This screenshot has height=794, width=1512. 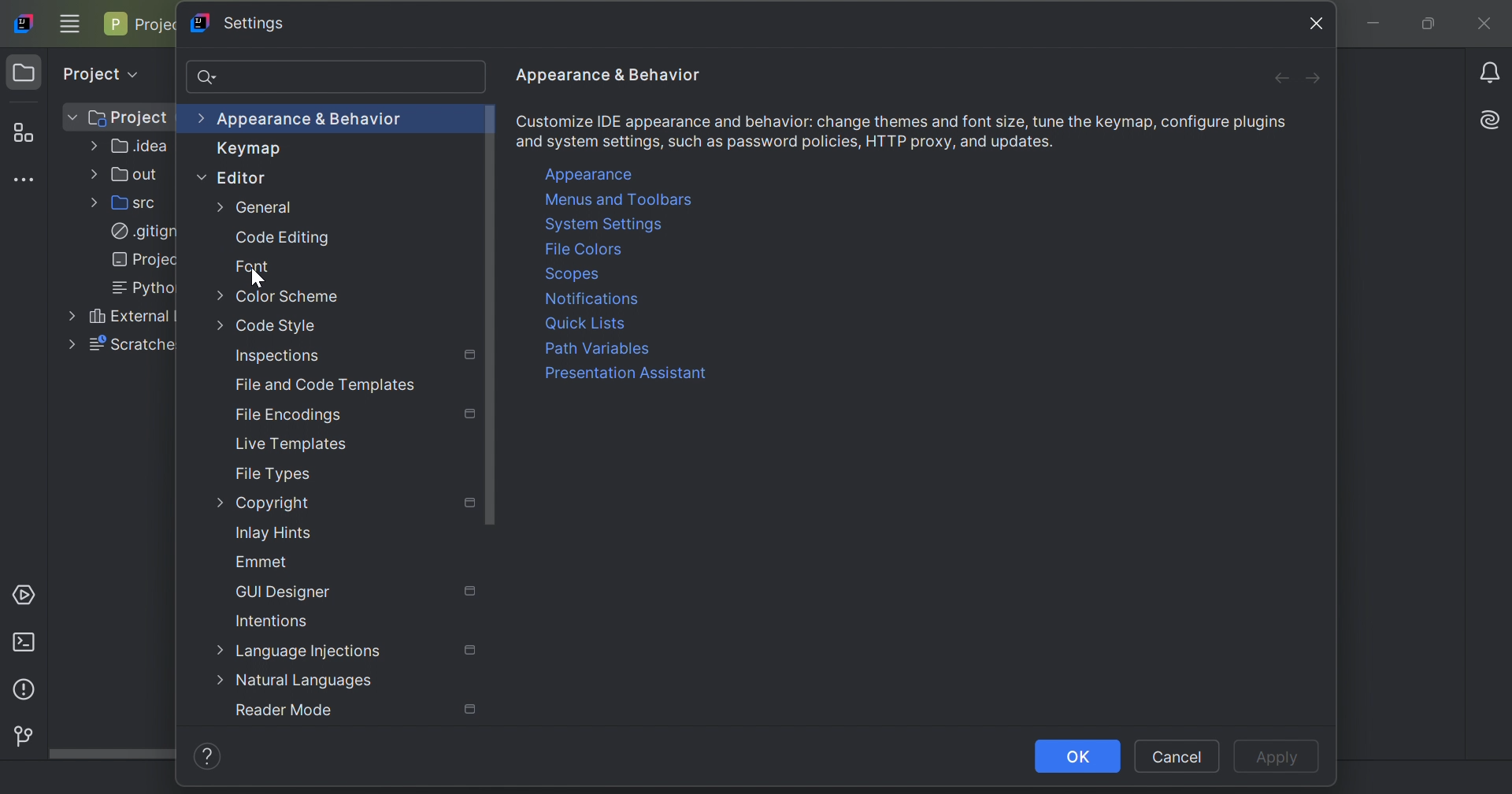 I want to click on Code style, so click(x=265, y=325).